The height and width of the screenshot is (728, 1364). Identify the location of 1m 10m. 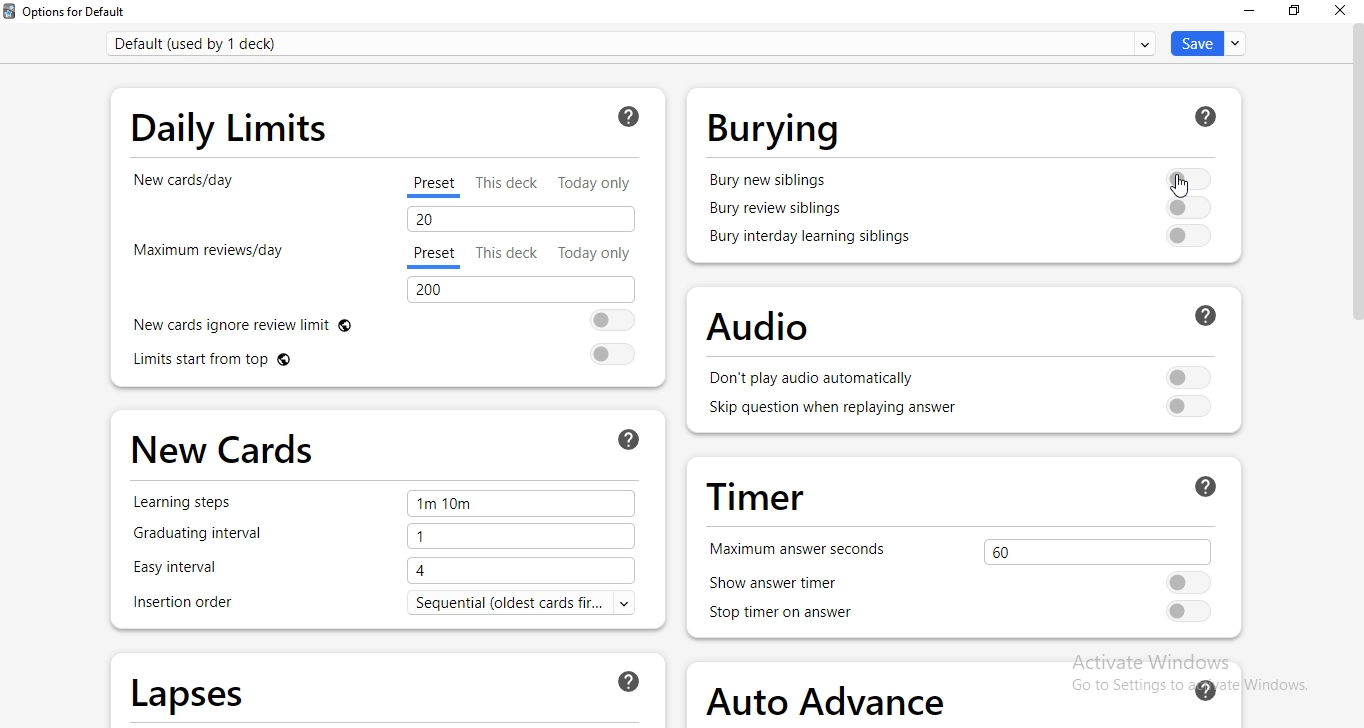
(521, 505).